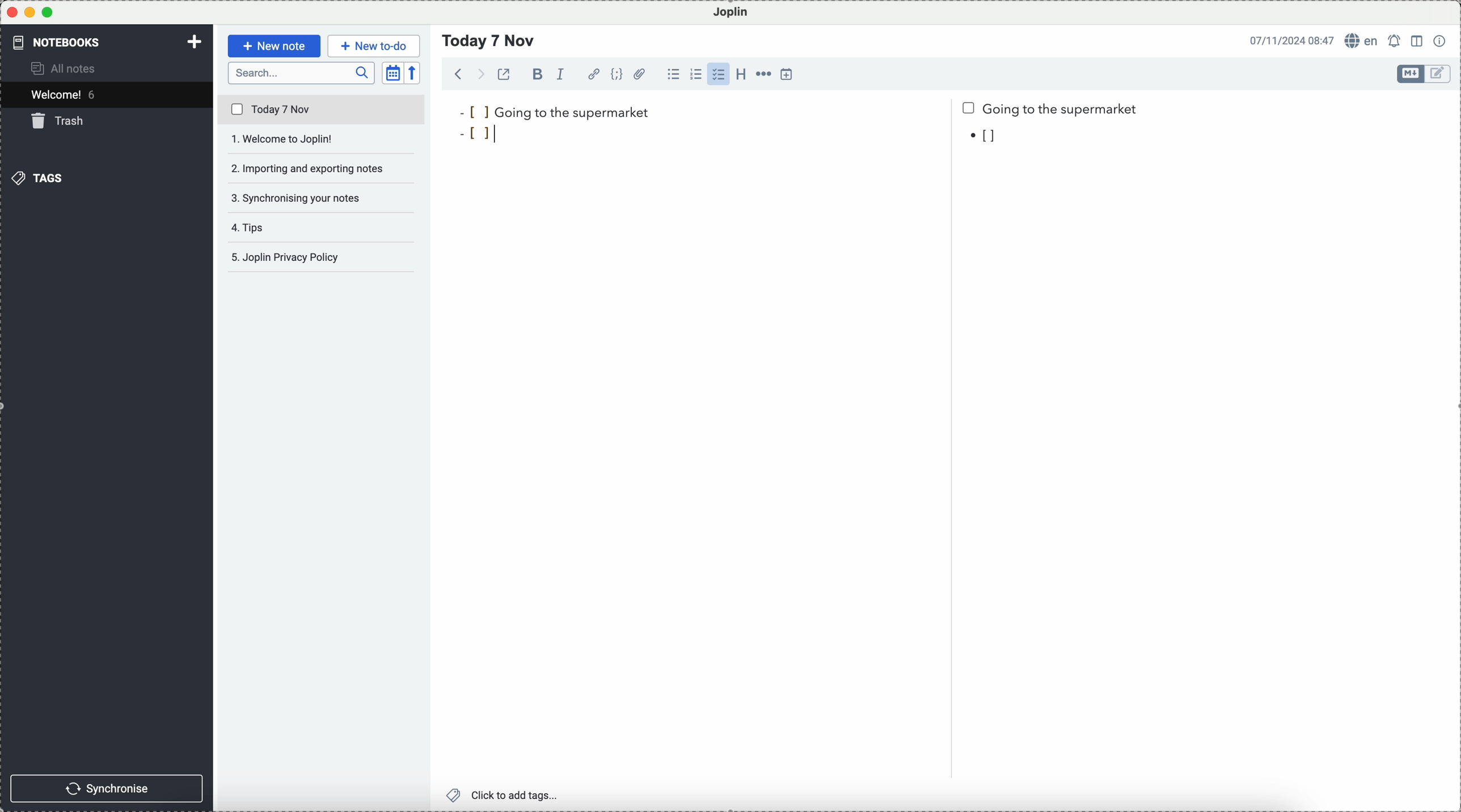  Describe the element at coordinates (66, 42) in the screenshot. I see `notebooks tab` at that location.